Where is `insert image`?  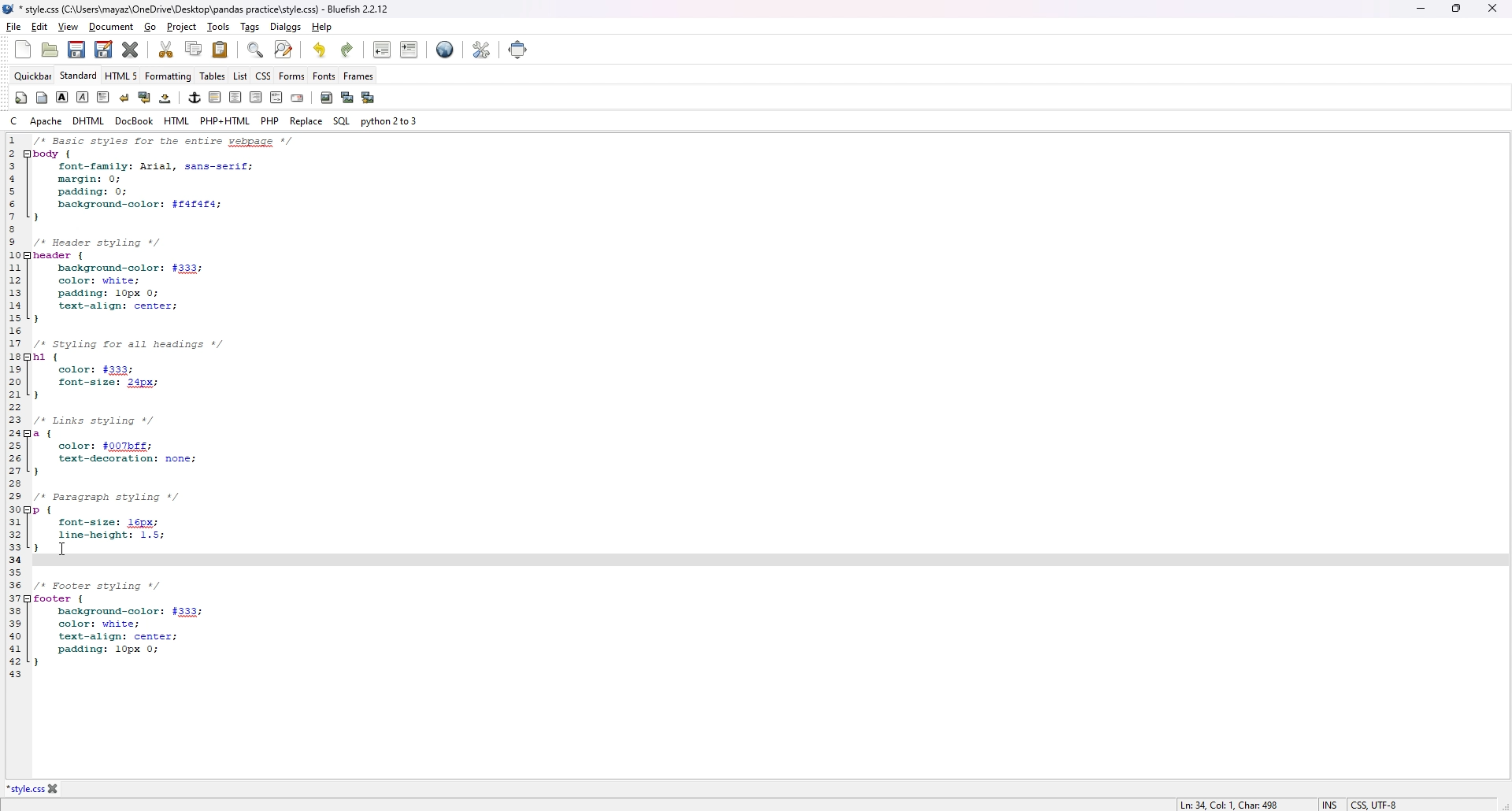
insert image is located at coordinates (328, 98).